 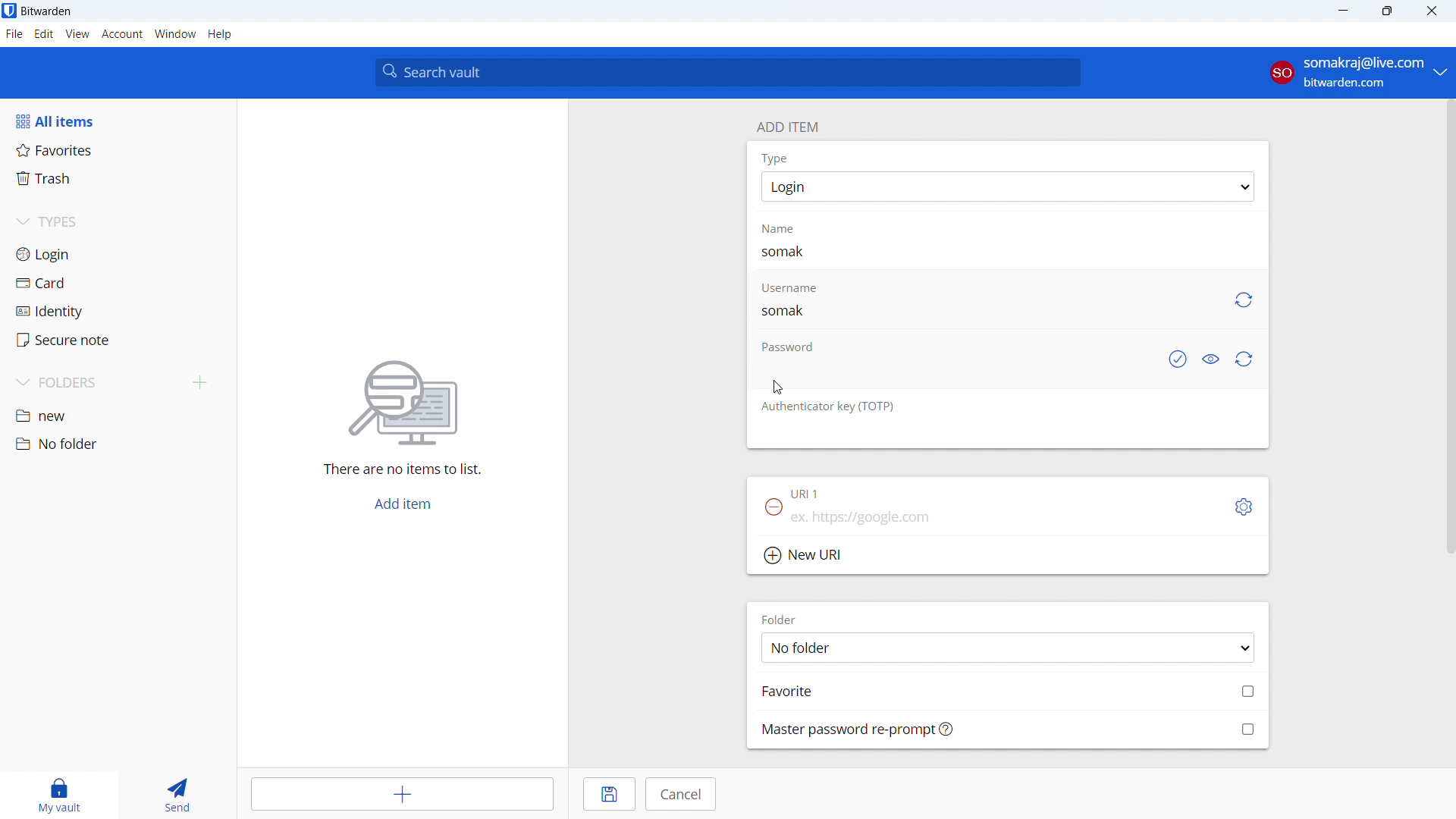 I want to click on add new url, so click(x=1008, y=557).